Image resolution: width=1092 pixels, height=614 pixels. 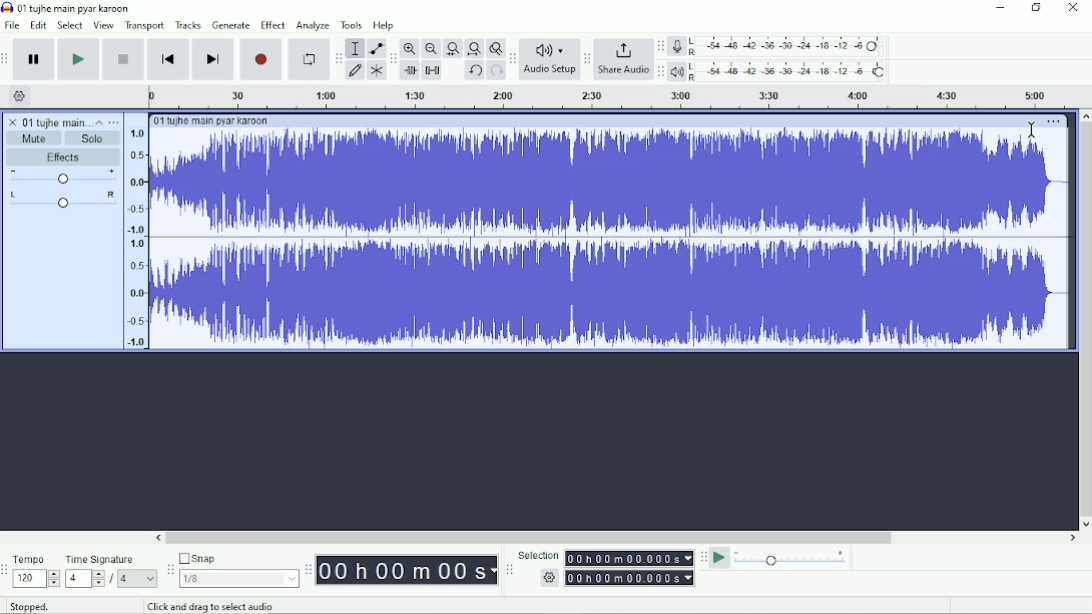 I want to click on Audacity edit toolbar, so click(x=391, y=59).